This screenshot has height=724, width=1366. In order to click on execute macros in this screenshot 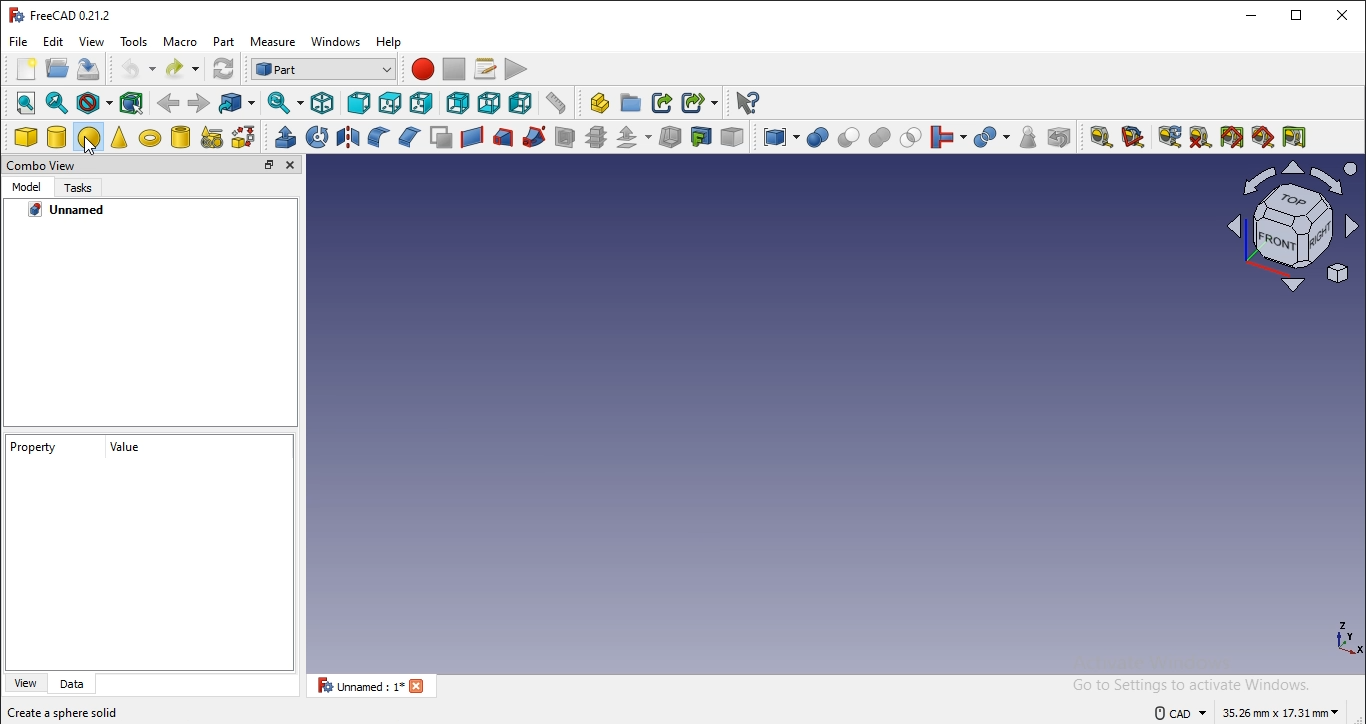, I will do `click(517, 69)`.